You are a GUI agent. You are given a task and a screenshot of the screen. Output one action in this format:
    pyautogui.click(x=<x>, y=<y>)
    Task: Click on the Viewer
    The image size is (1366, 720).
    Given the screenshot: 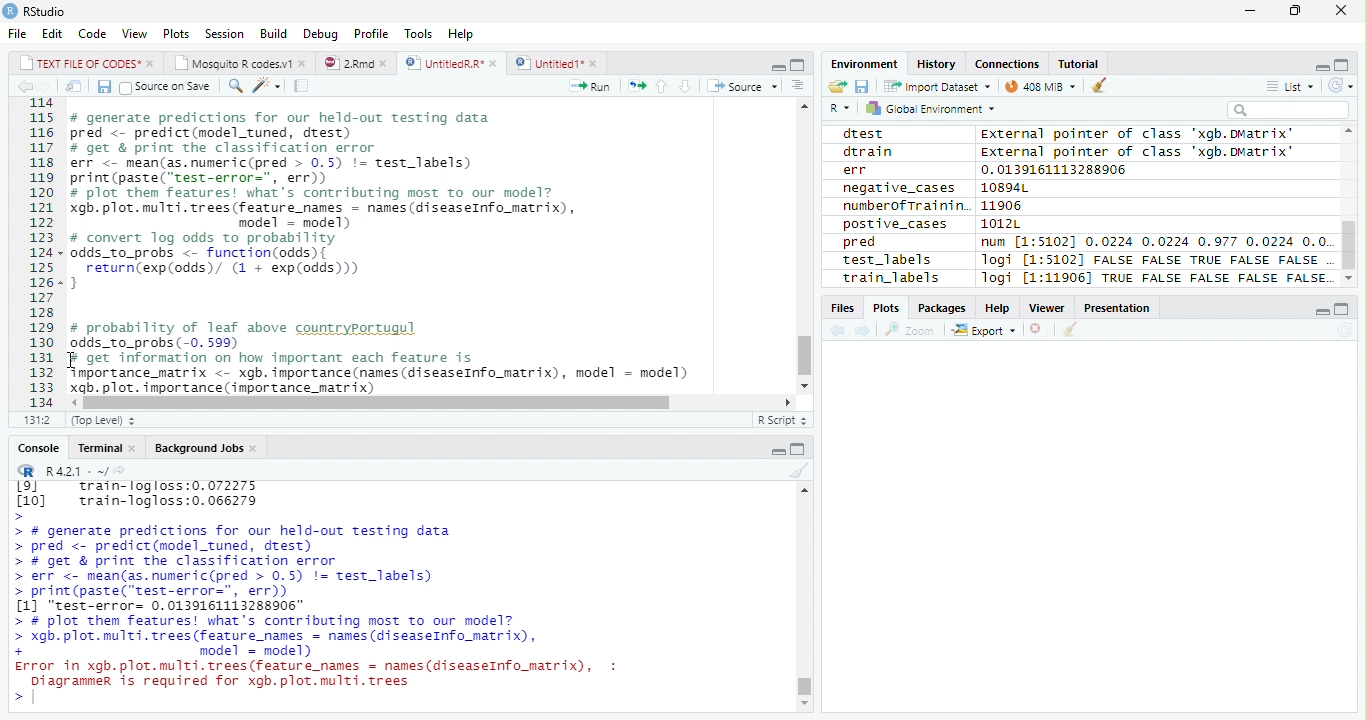 What is the action you would take?
    pyautogui.click(x=1049, y=307)
    